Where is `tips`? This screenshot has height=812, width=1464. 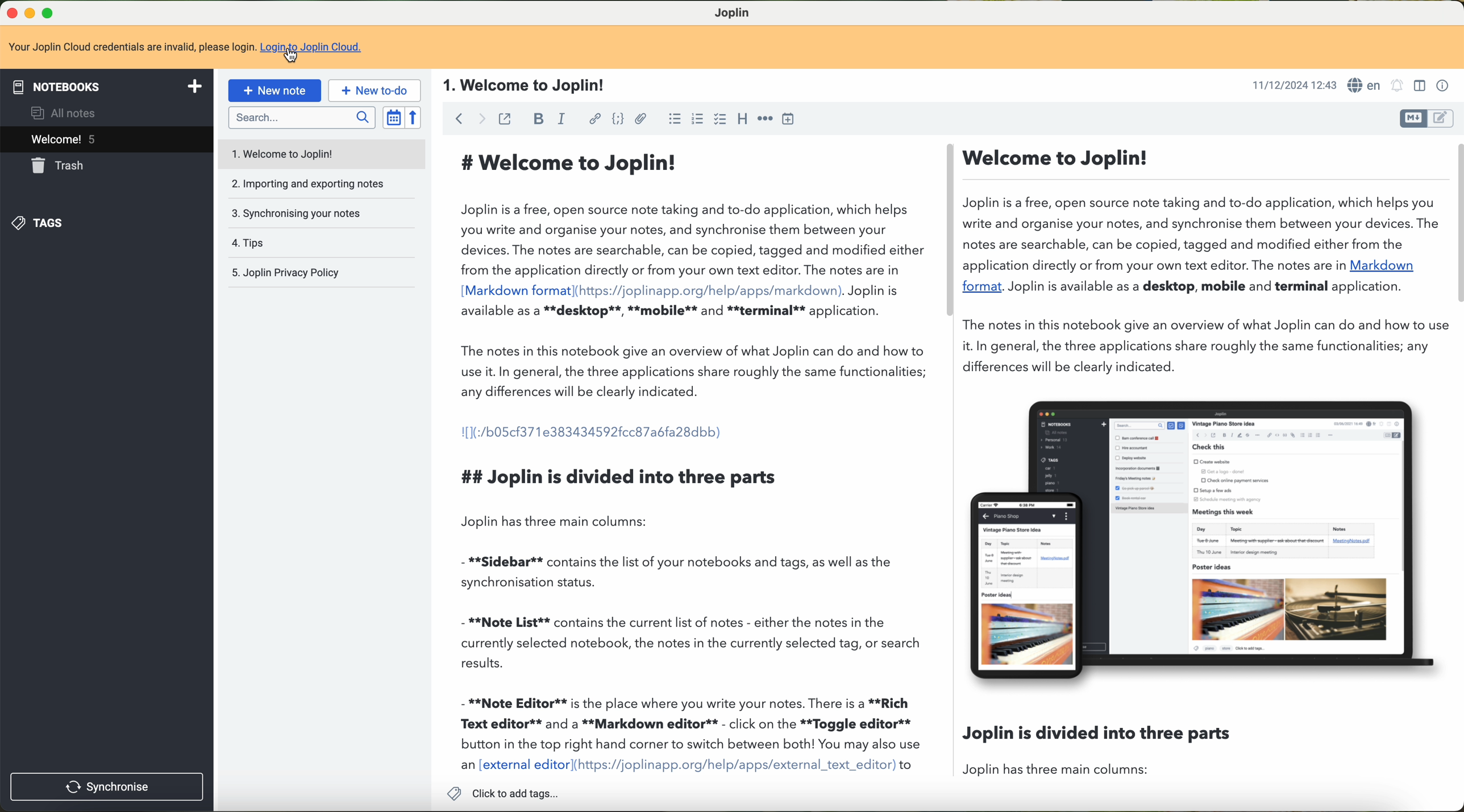
tips is located at coordinates (324, 243).